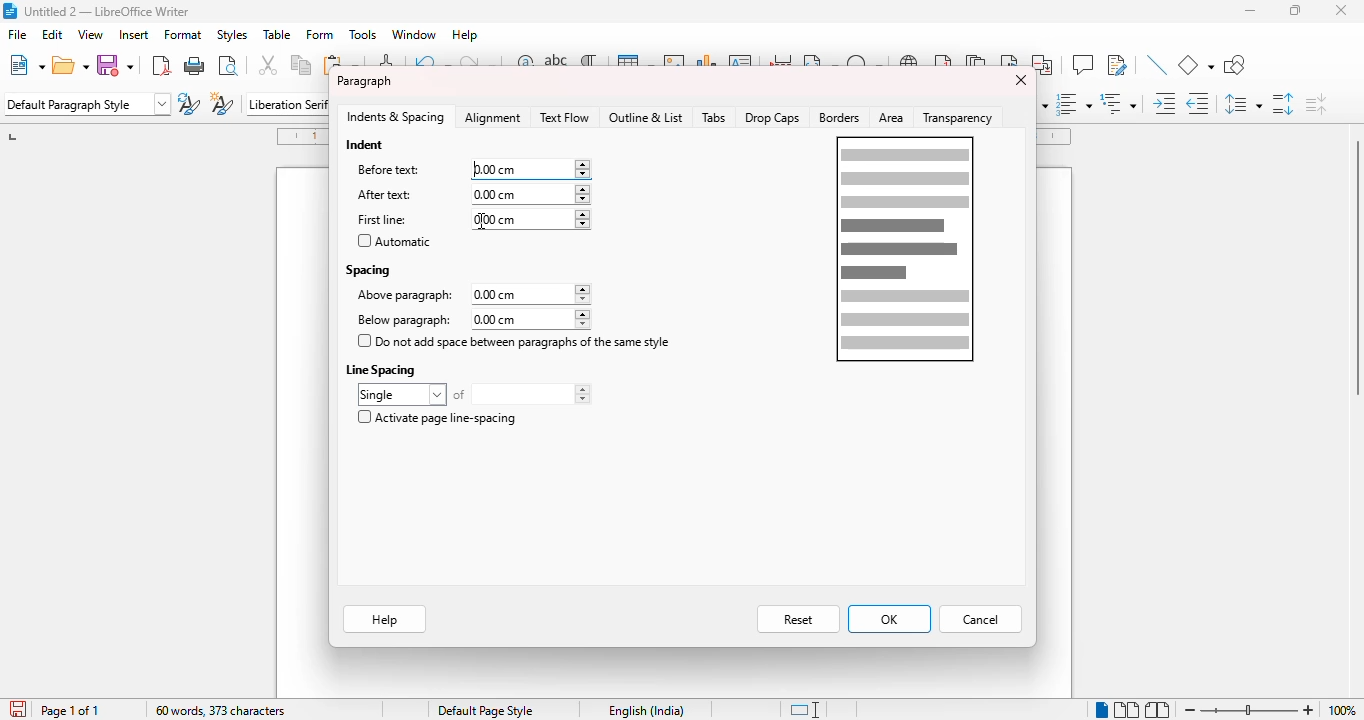 The width and height of the screenshot is (1364, 720). I want to click on zoom factor, so click(1342, 710).